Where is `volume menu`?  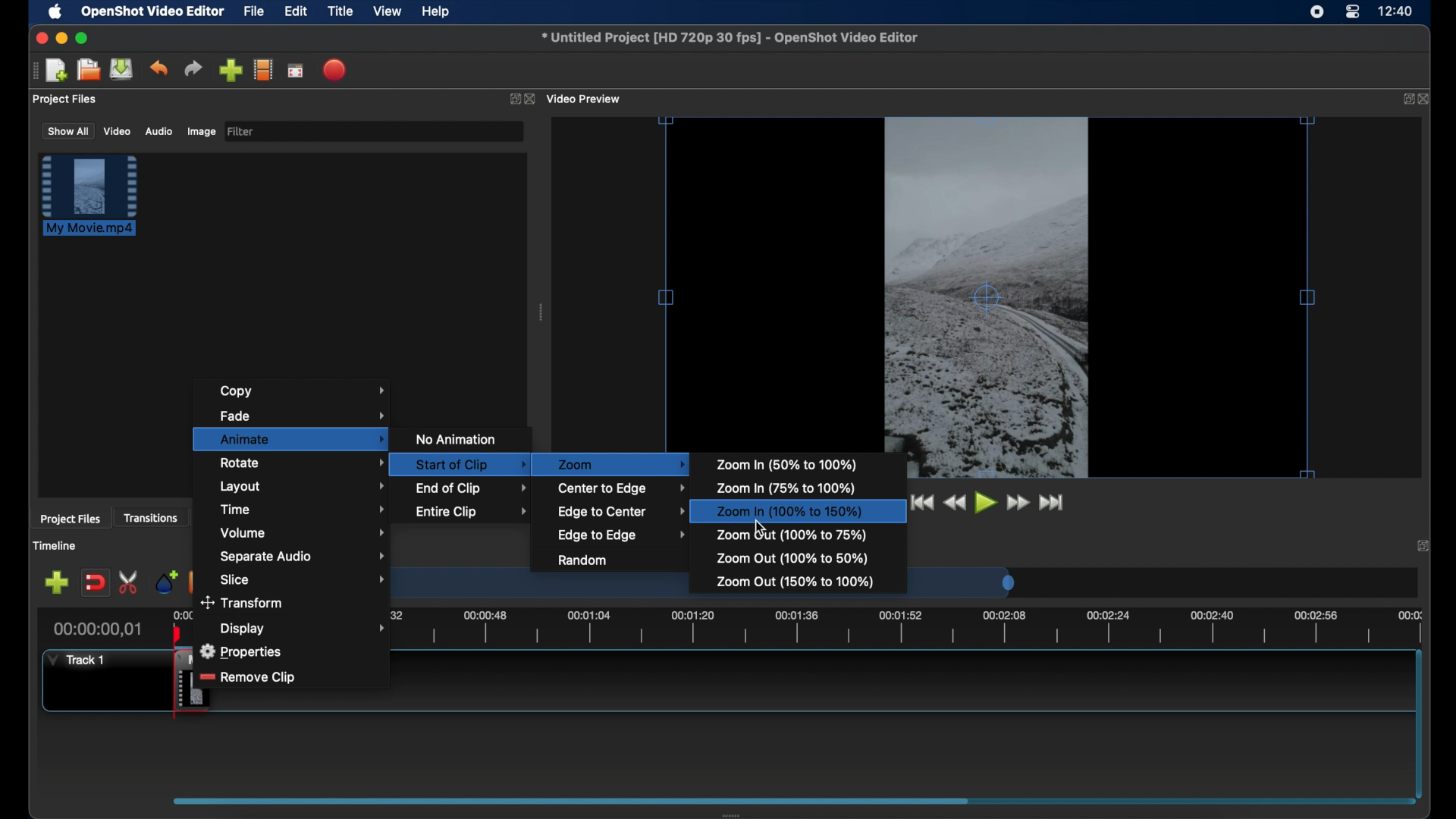 volume menu is located at coordinates (304, 532).